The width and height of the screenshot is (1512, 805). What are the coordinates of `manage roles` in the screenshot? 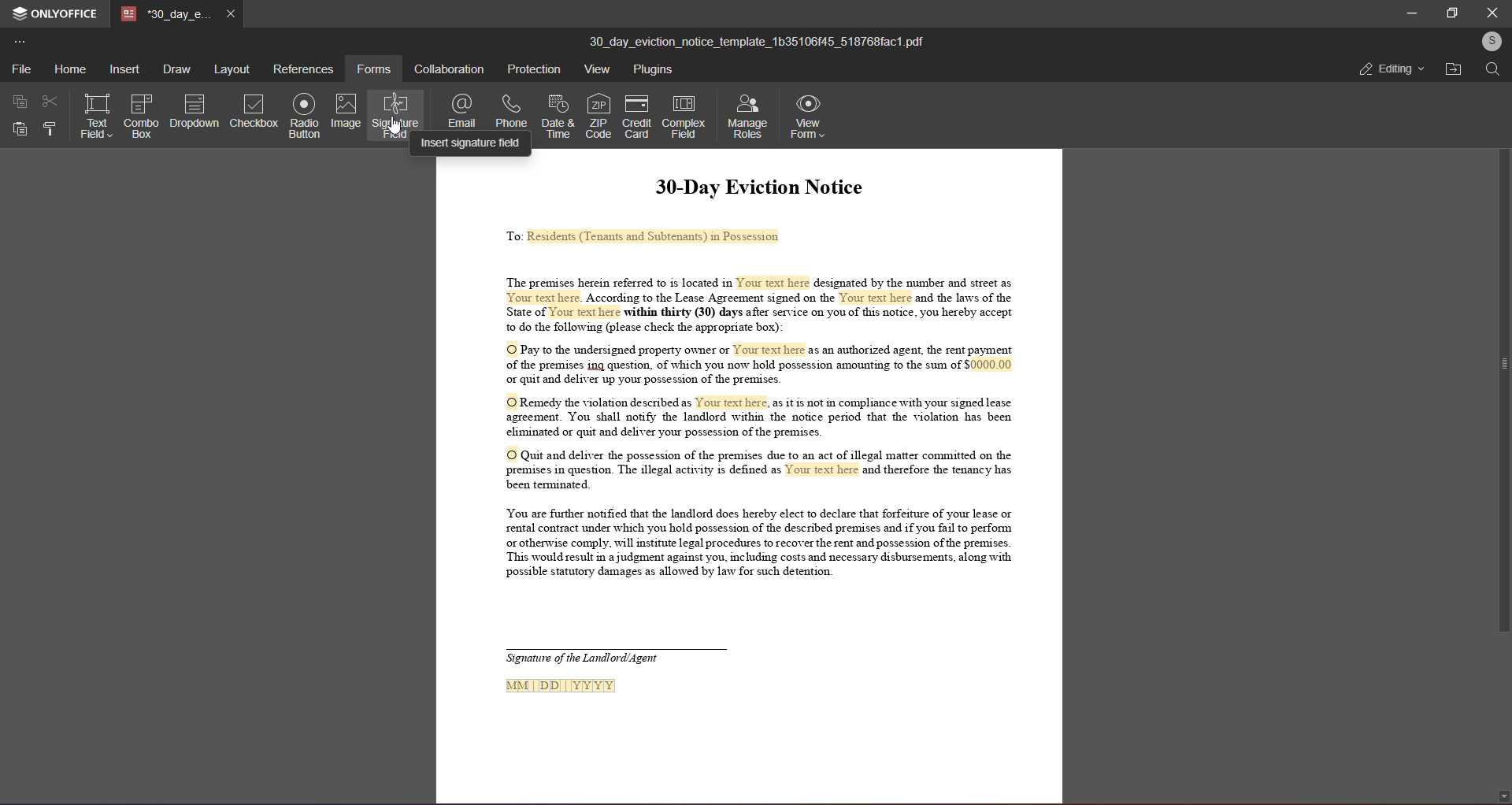 It's located at (747, 115).